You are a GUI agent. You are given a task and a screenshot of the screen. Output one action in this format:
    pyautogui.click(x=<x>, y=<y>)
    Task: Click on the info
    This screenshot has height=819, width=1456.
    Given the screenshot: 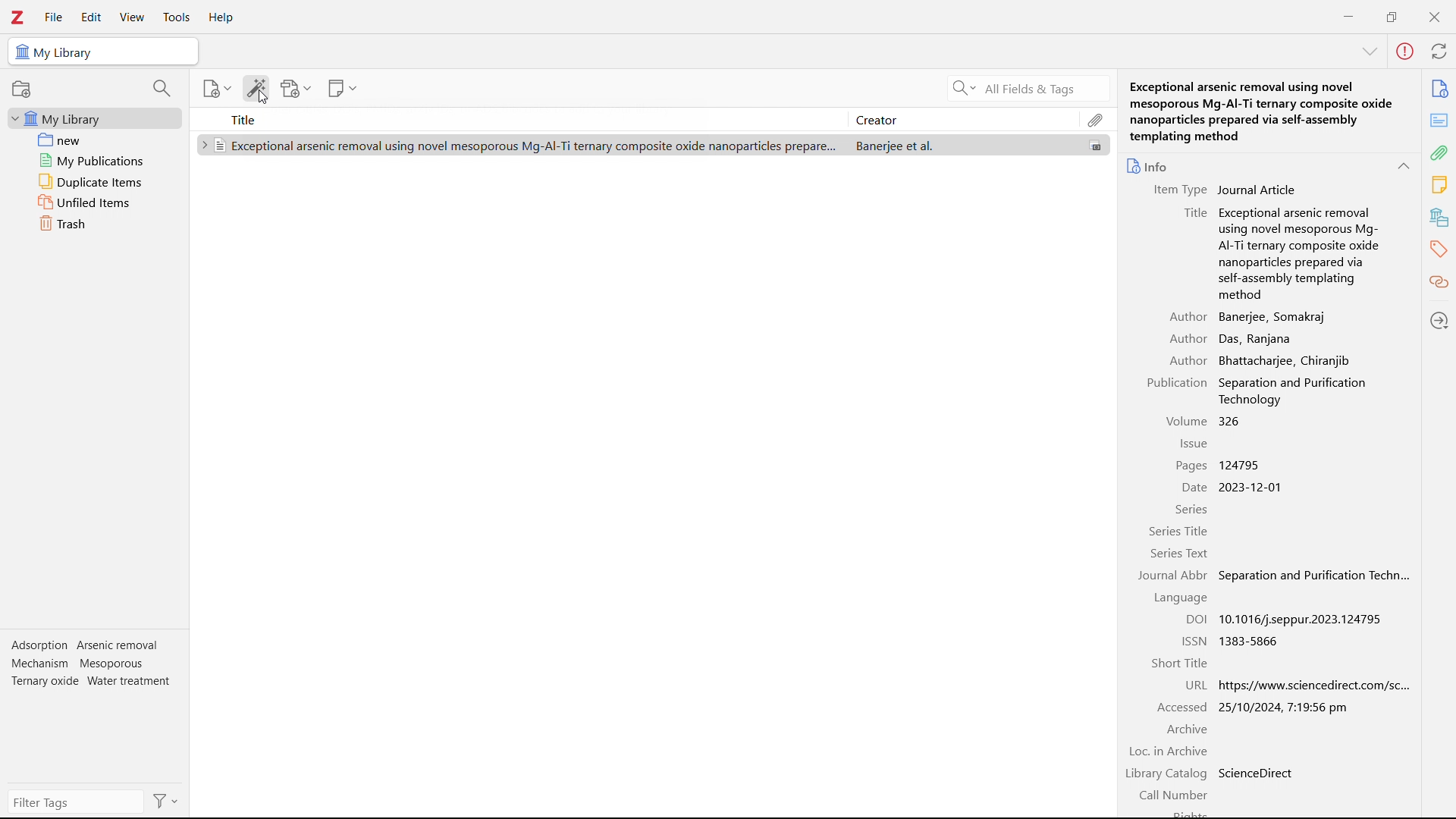 What is the action you would take?
    pyautogui.click(x=1439, y=89)
    